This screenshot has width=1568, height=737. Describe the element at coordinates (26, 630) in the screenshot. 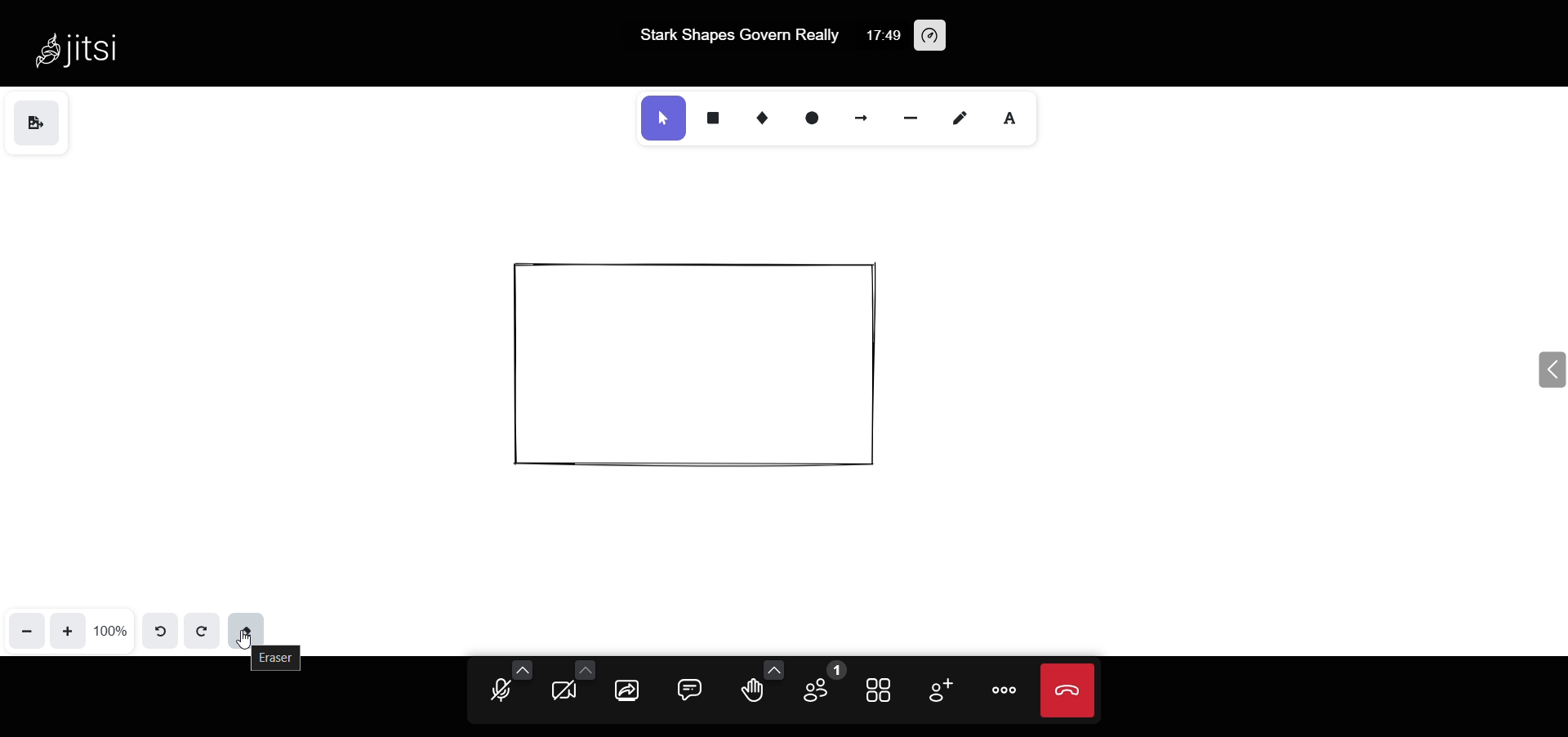

I see `zoom out` at that location.